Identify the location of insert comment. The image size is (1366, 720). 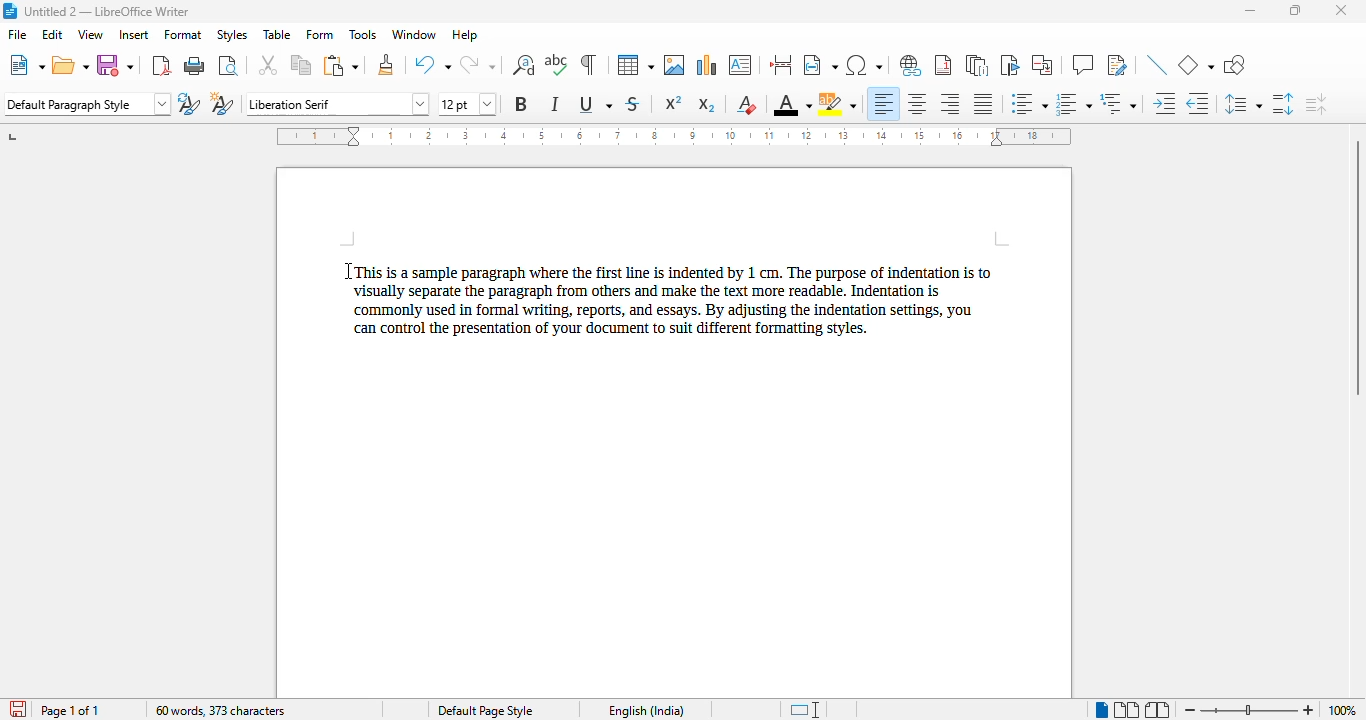
(1083, 64).